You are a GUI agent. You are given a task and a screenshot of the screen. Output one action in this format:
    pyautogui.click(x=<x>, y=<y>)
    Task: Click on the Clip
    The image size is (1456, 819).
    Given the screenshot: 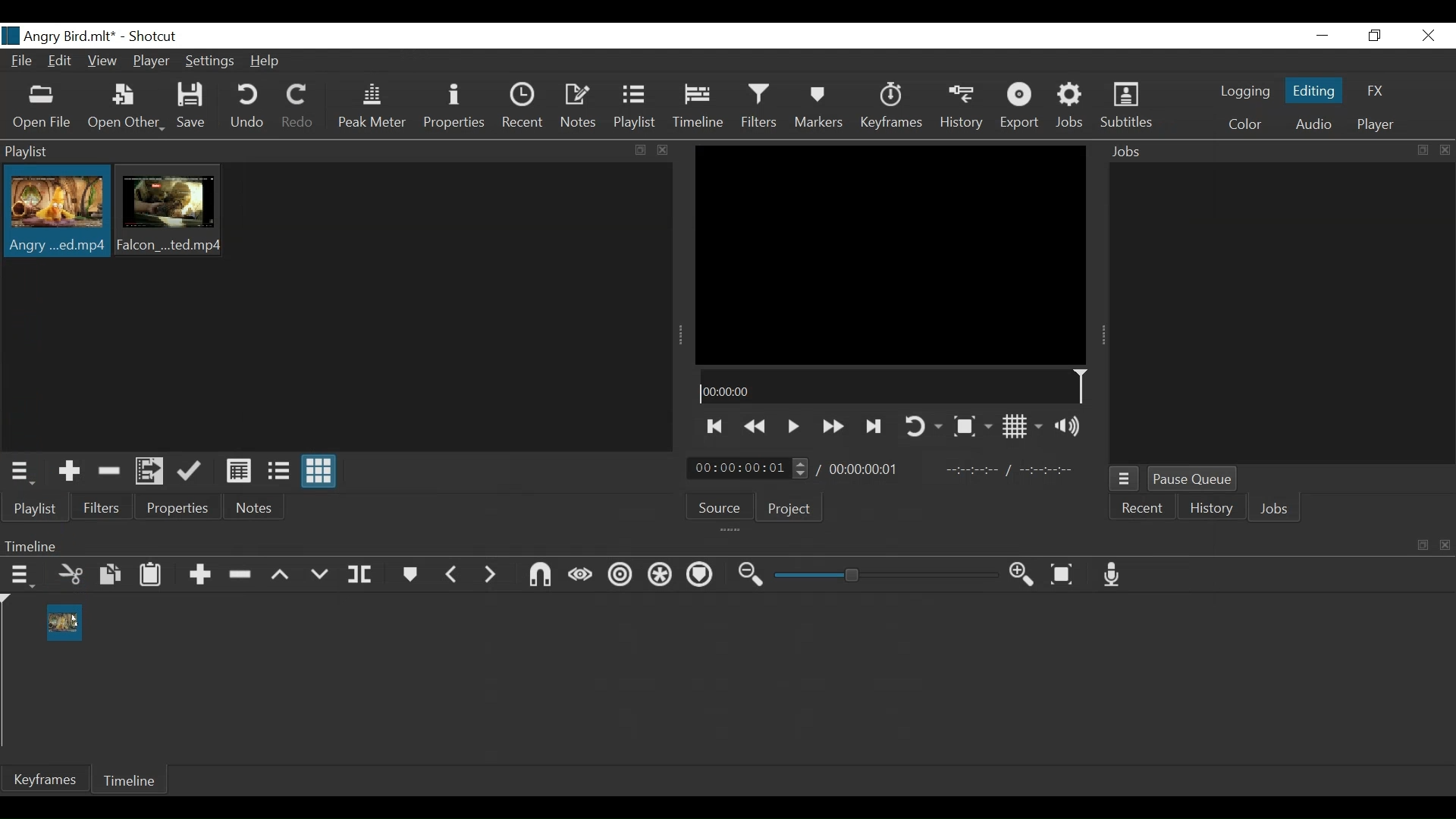 What is the action you would take?
    pyautogui.click(x=55, y=213)
    